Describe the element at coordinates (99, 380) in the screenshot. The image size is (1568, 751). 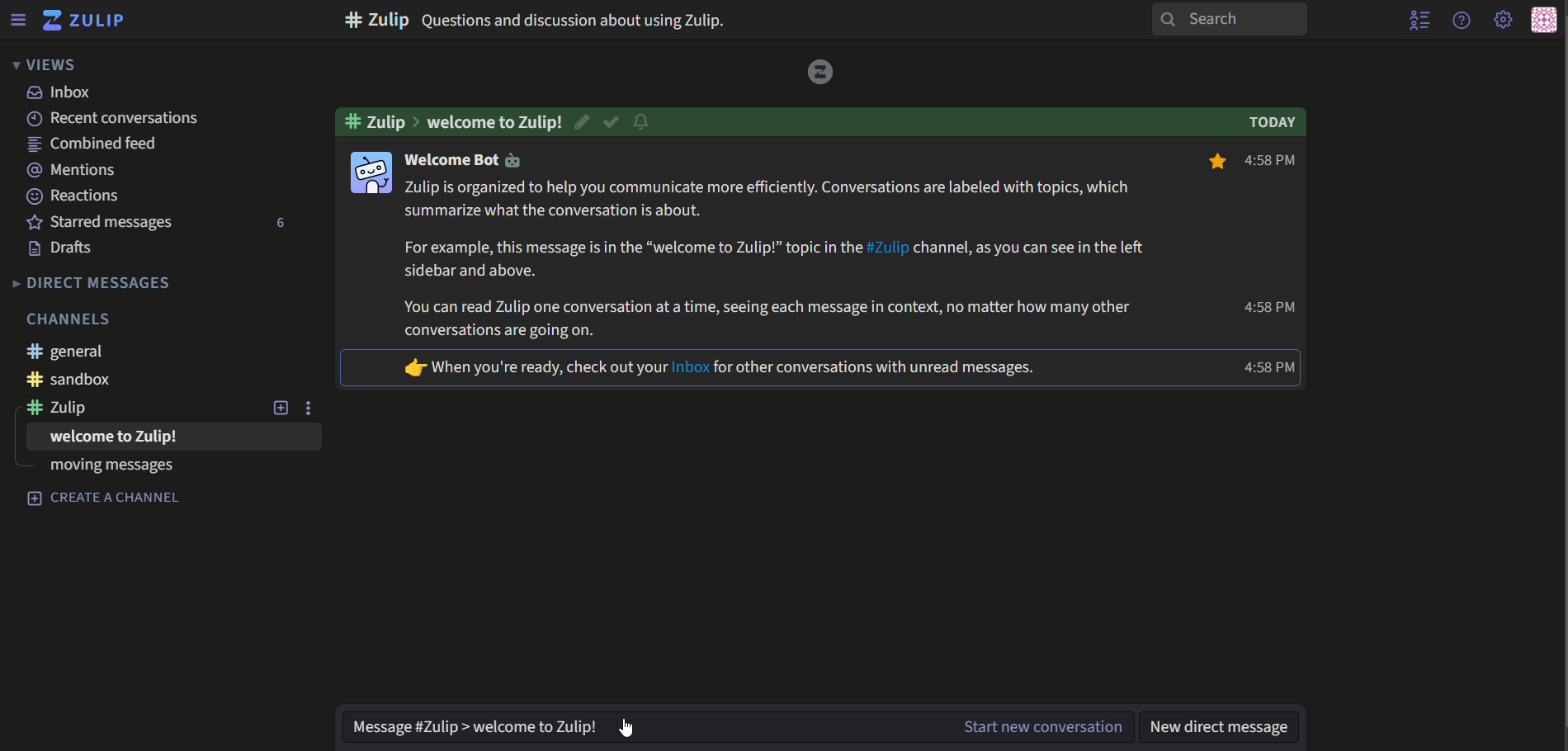
I see `text` at that location.